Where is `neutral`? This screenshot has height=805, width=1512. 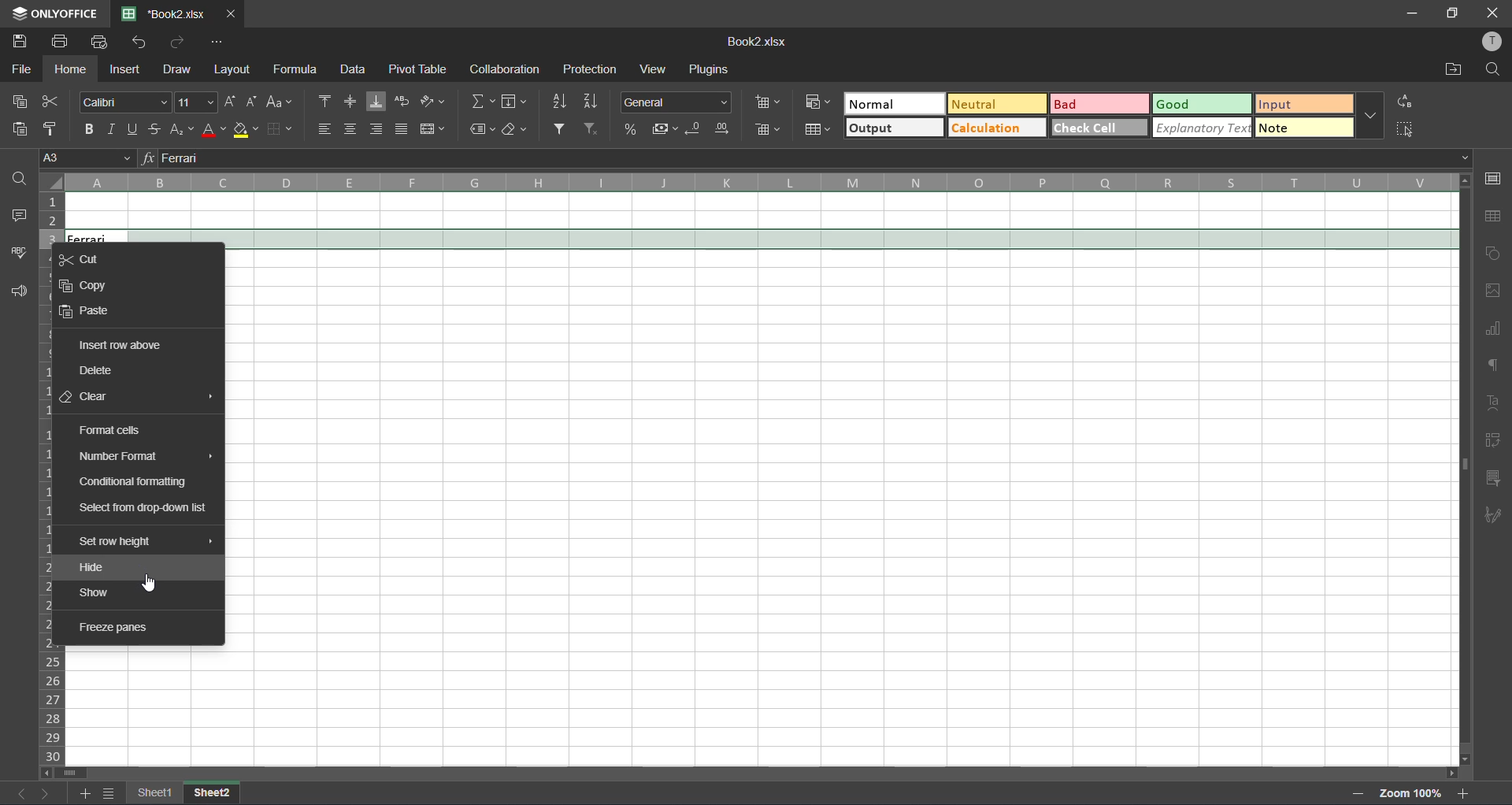 neutral is located at coordinates (999, 104).